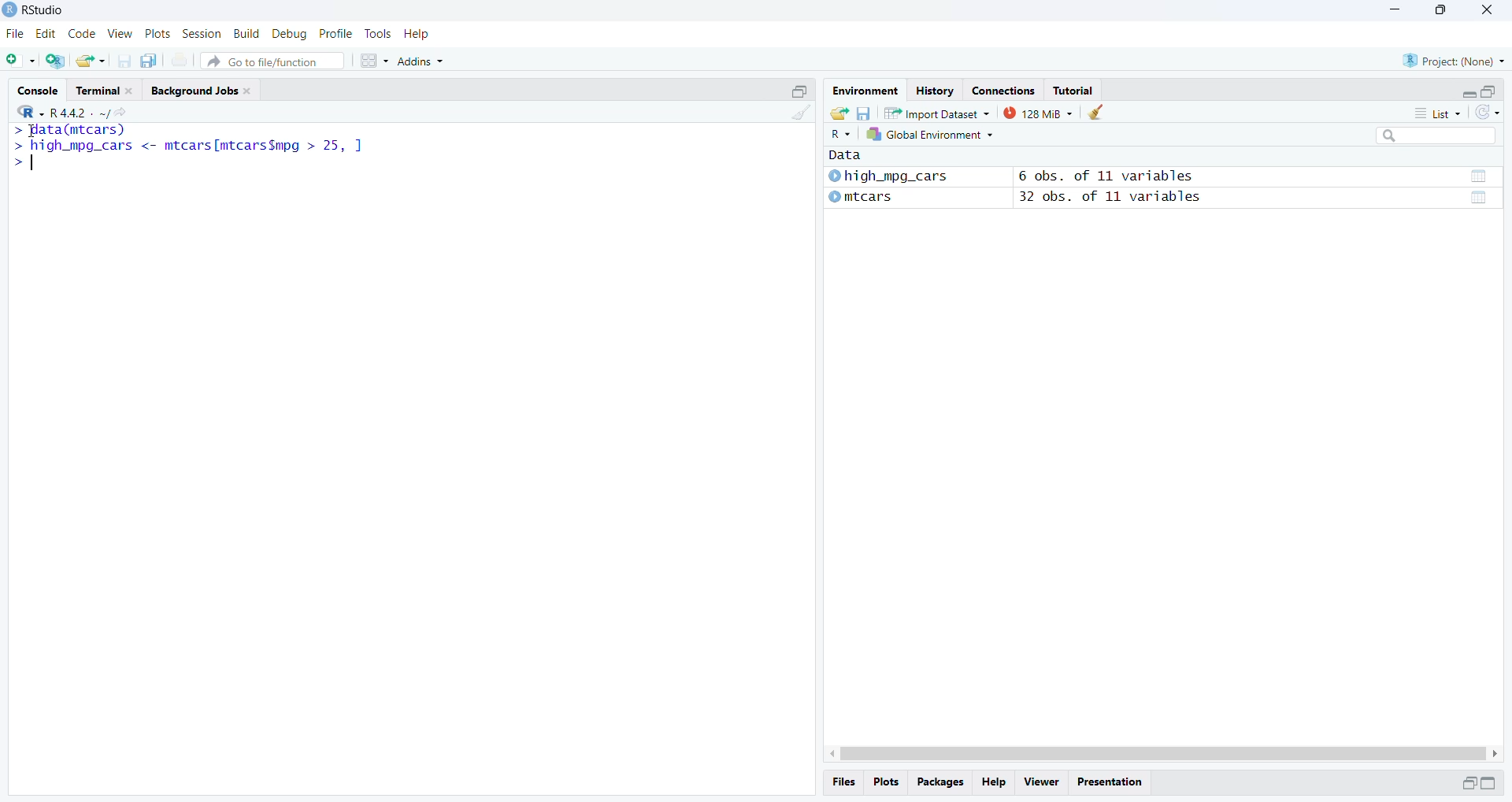 This screenshot has width=1512, height=802. Describe the element at coordinates (1468, 785) in the screenshot. I see `minimize` at that location.